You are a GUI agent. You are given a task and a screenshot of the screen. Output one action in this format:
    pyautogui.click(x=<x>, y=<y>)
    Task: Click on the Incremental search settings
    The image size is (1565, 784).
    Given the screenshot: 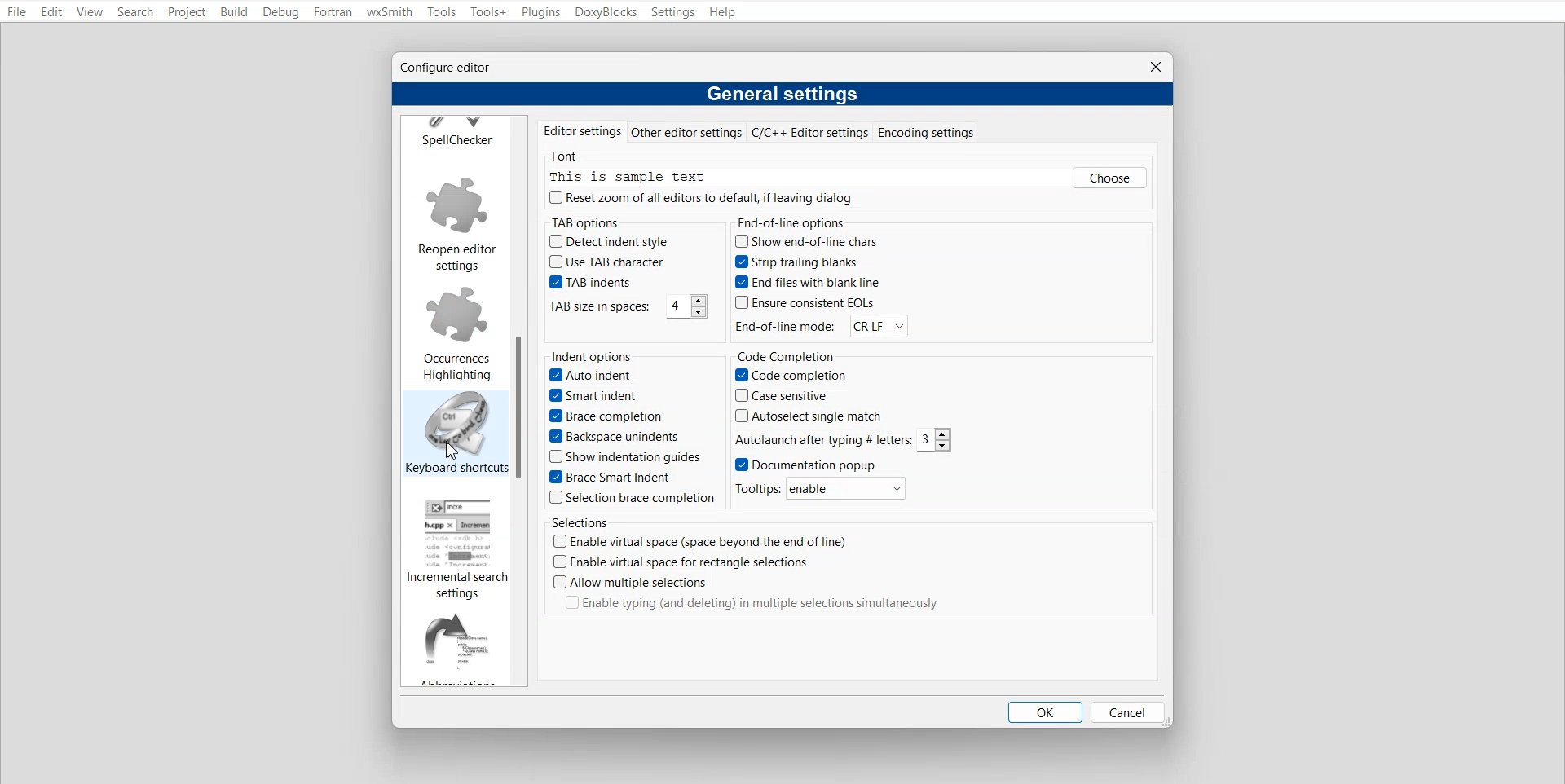 What is the action you would take?
    pyautogui.click(x=457, y=548)
    